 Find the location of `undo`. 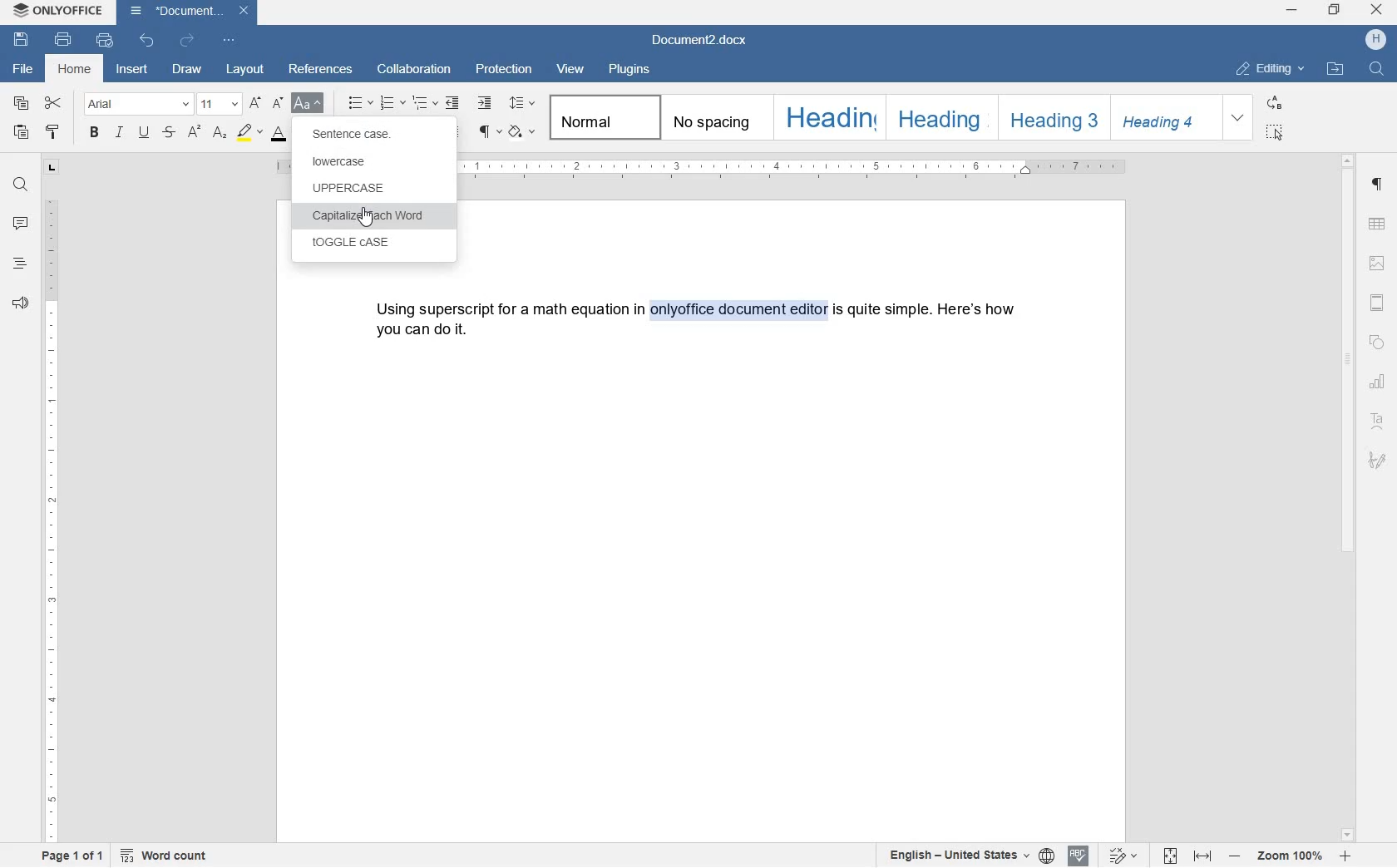

undo is located at coordinates (147, 40).